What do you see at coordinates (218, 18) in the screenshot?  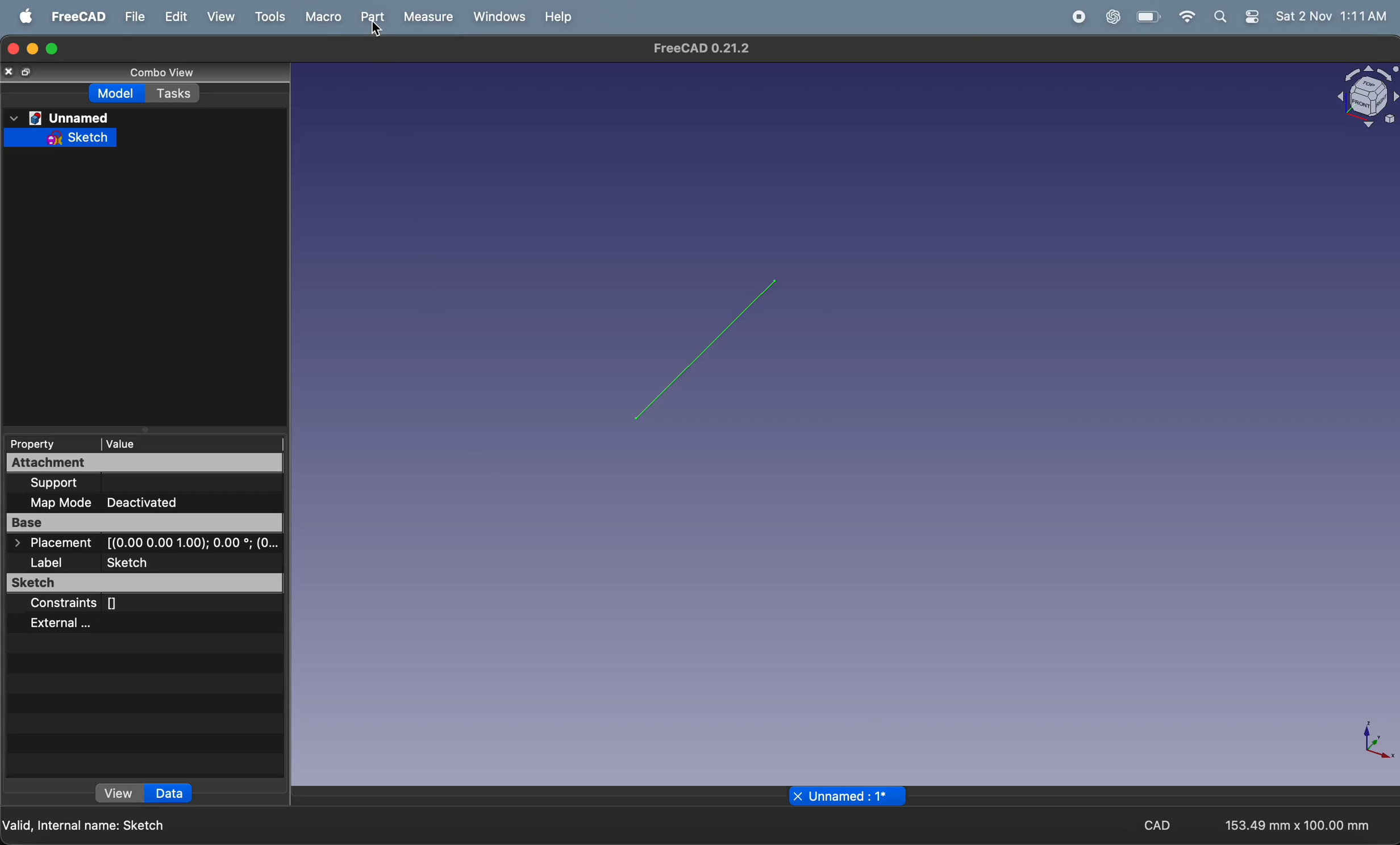 I see `view` at bounding box center [218, 18].